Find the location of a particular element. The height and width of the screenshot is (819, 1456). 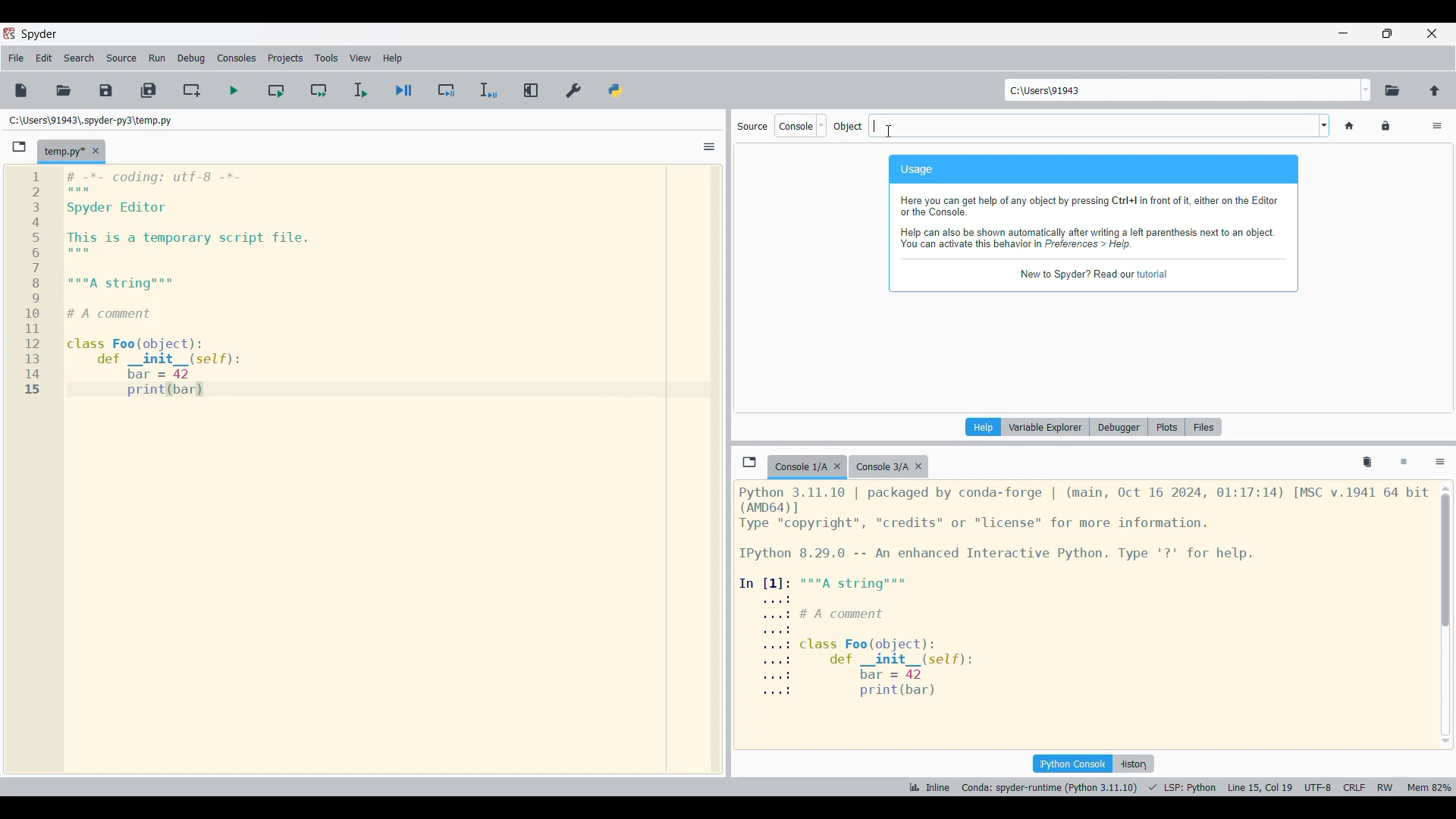

Minimize is located at coordinates (1344, 33).